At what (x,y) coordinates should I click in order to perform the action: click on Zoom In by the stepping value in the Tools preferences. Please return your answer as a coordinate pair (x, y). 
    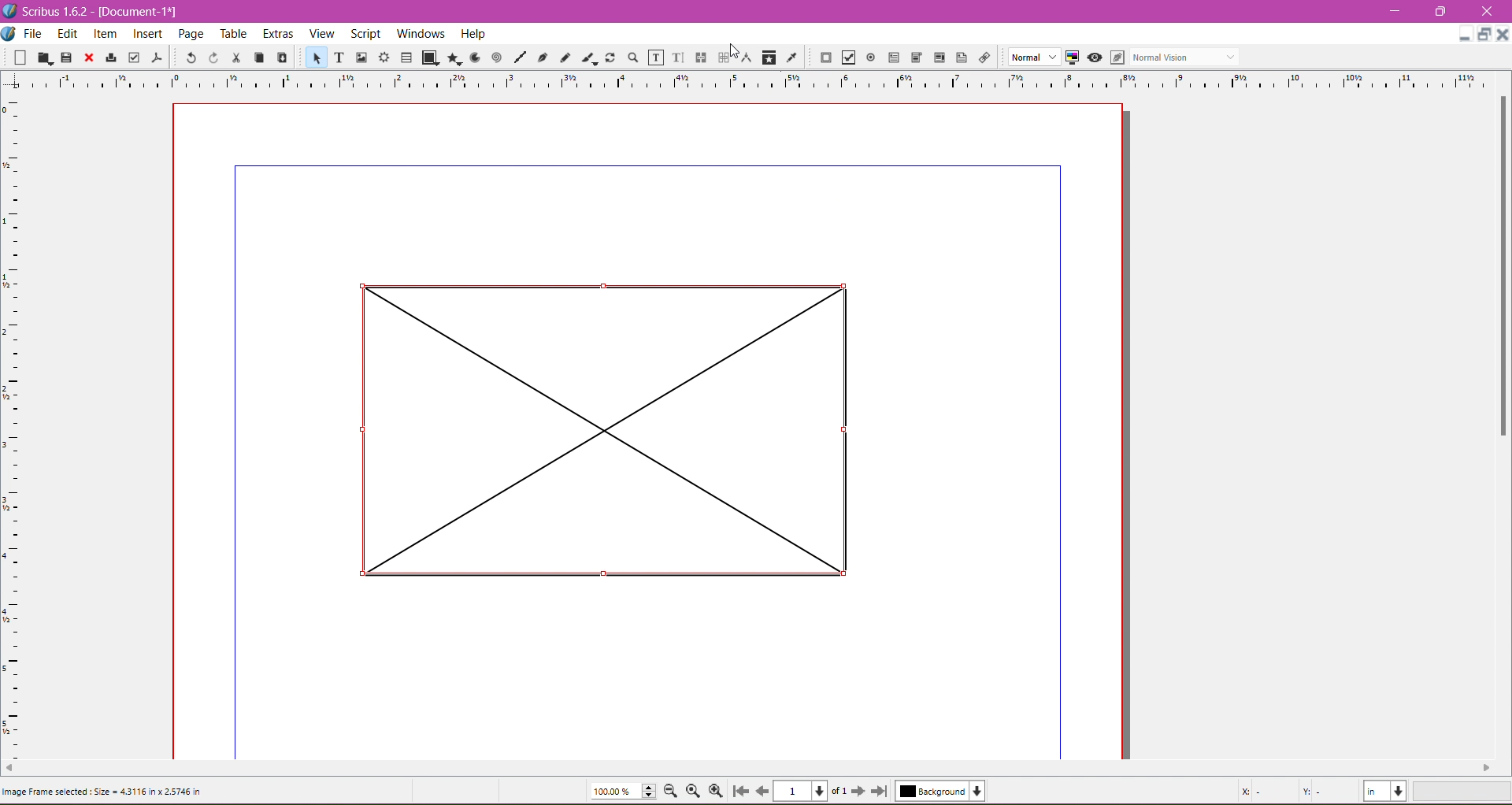
    Looking at the image, I should click on (717, 791).